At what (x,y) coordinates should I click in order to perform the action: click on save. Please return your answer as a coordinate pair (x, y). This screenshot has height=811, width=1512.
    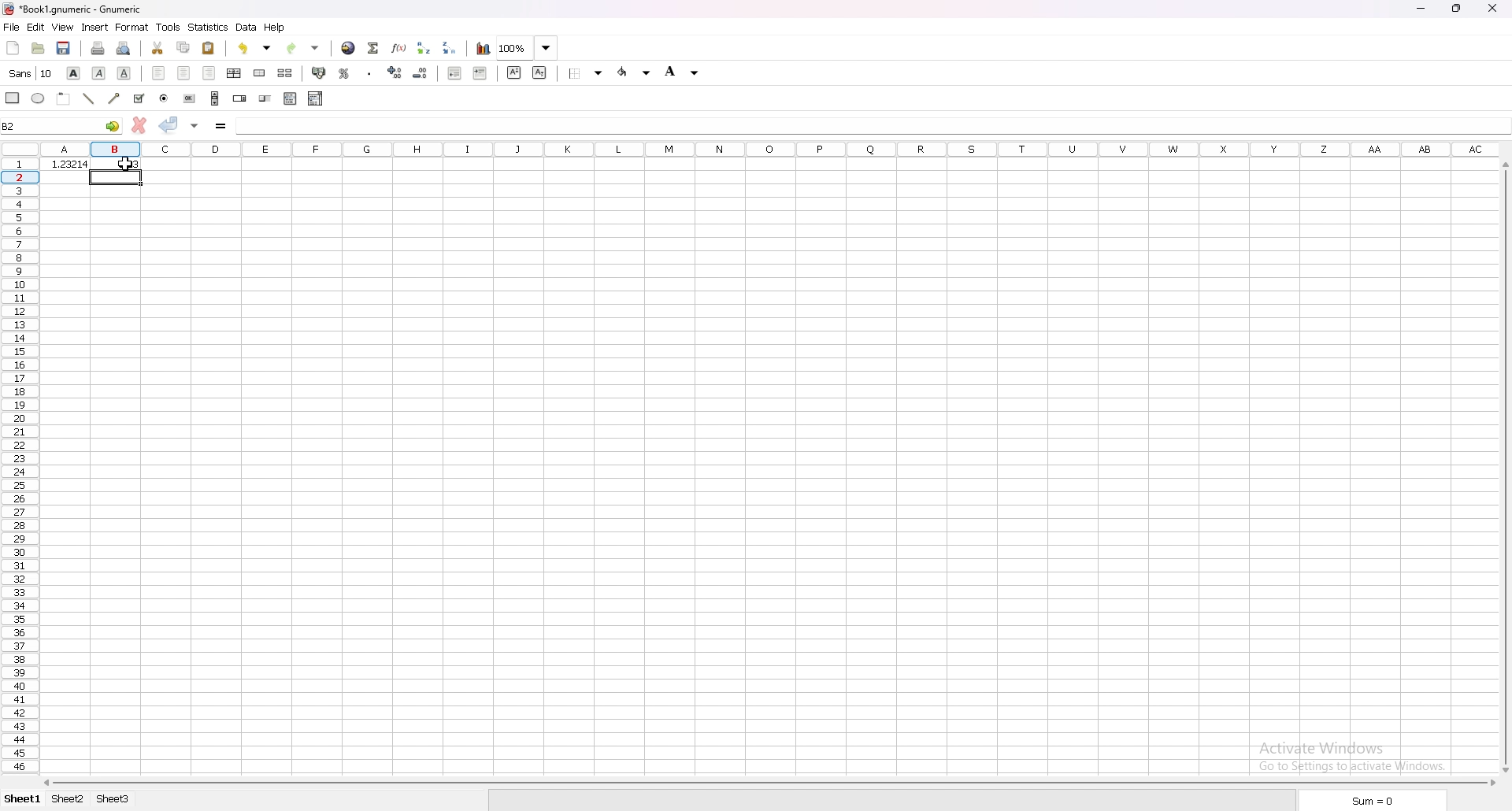
    Looking at the image, I should click on (63, 47).